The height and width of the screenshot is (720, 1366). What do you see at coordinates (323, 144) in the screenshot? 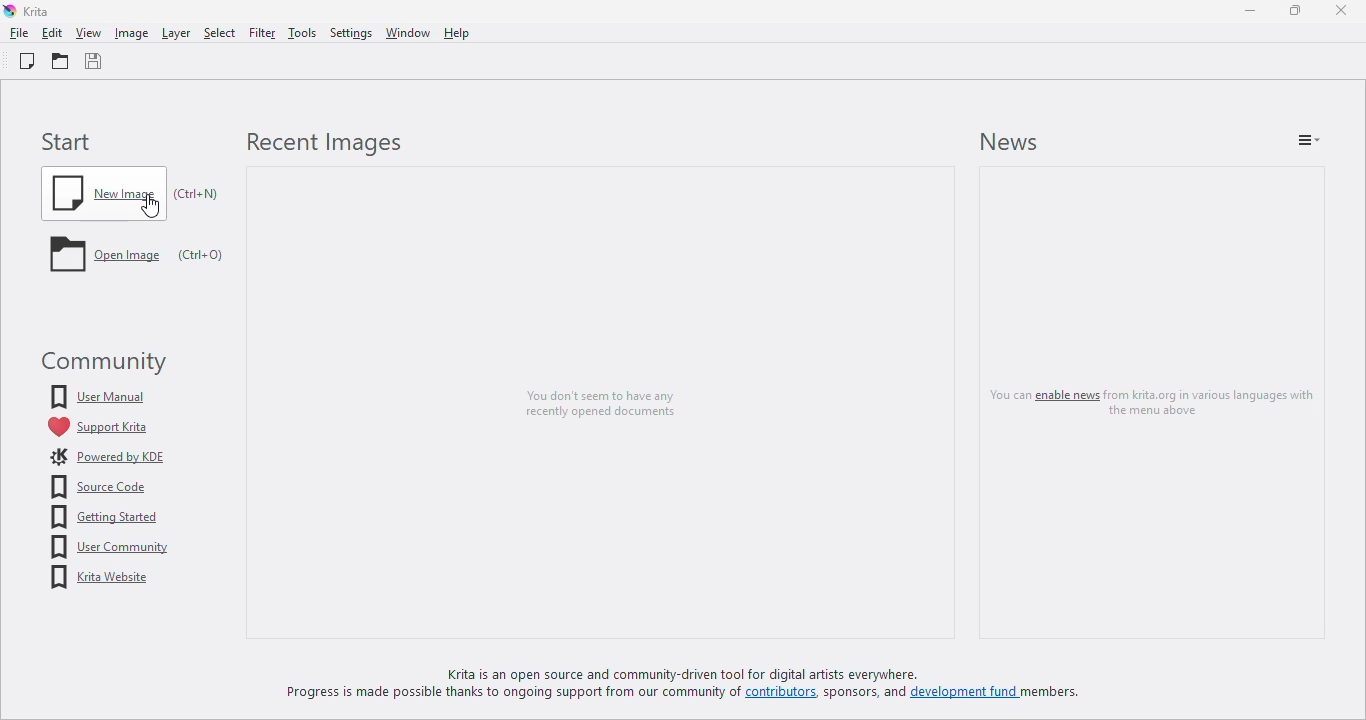
I see `recent images` at bounding box center [323, 144].